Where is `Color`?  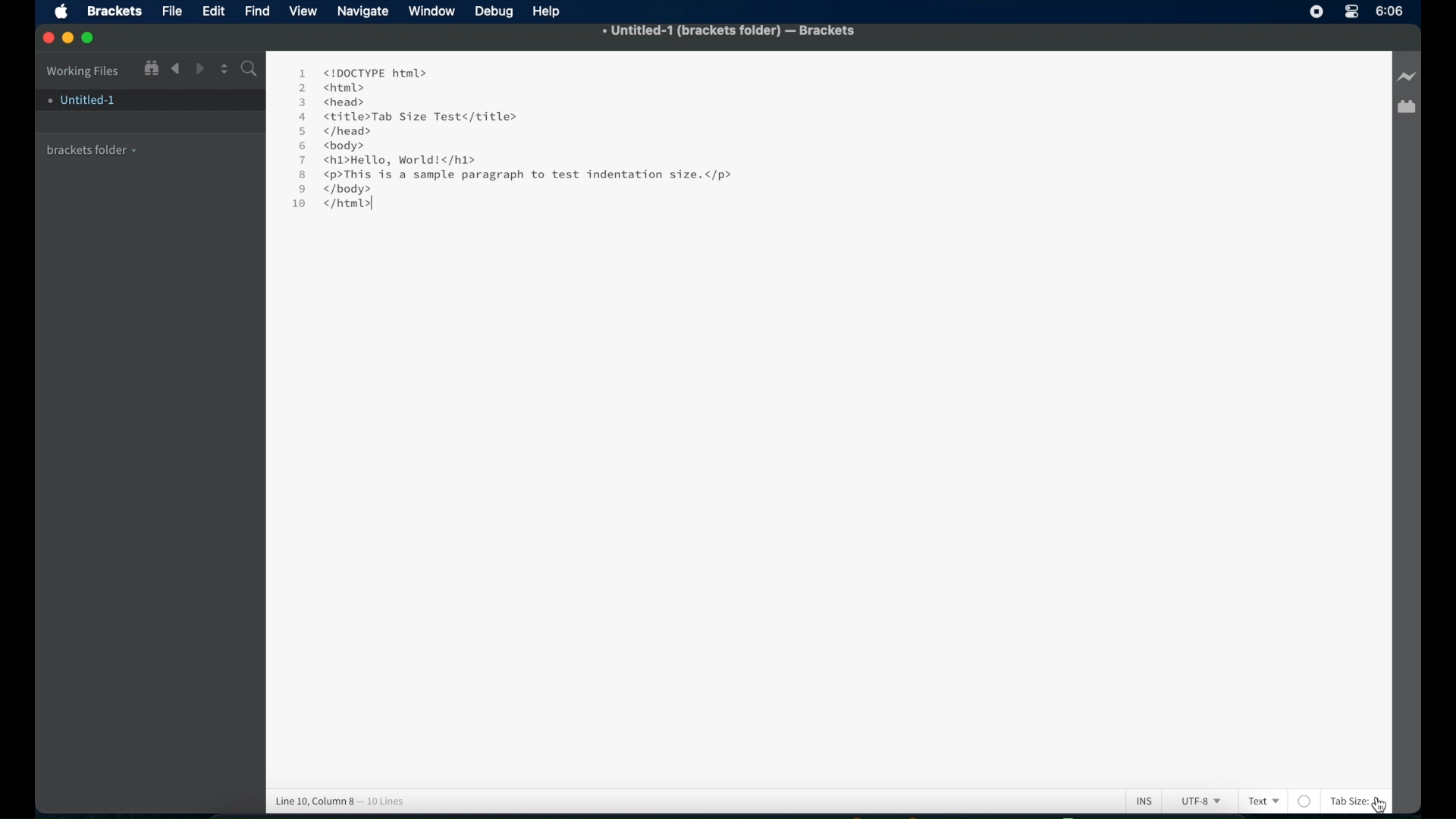
Color is located at coordinates (1305, 801).